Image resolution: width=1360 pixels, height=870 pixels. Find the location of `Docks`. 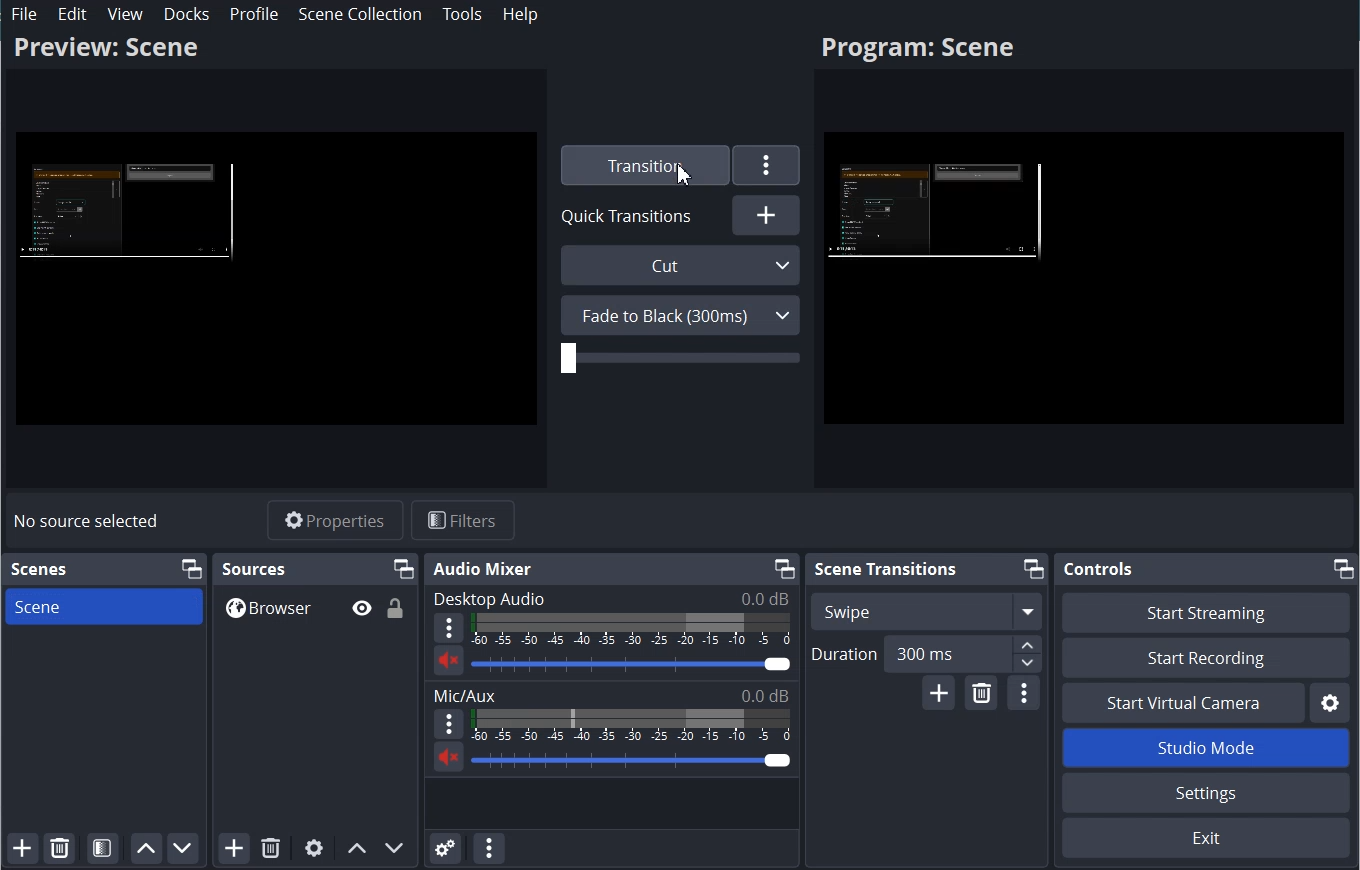

Docks is located at coordinates (187, 14).